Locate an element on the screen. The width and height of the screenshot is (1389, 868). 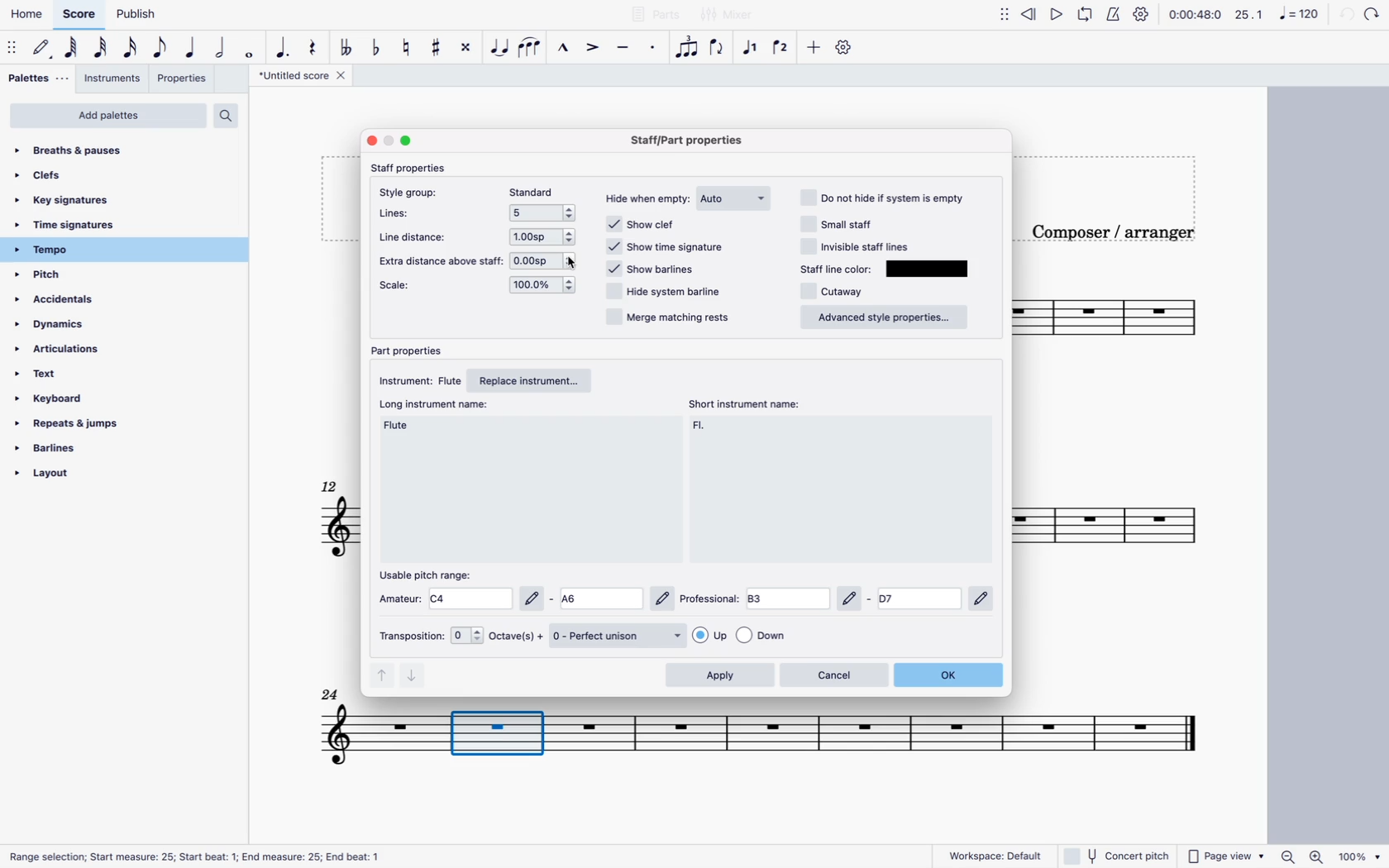
options is located at coordinates (546, 213).